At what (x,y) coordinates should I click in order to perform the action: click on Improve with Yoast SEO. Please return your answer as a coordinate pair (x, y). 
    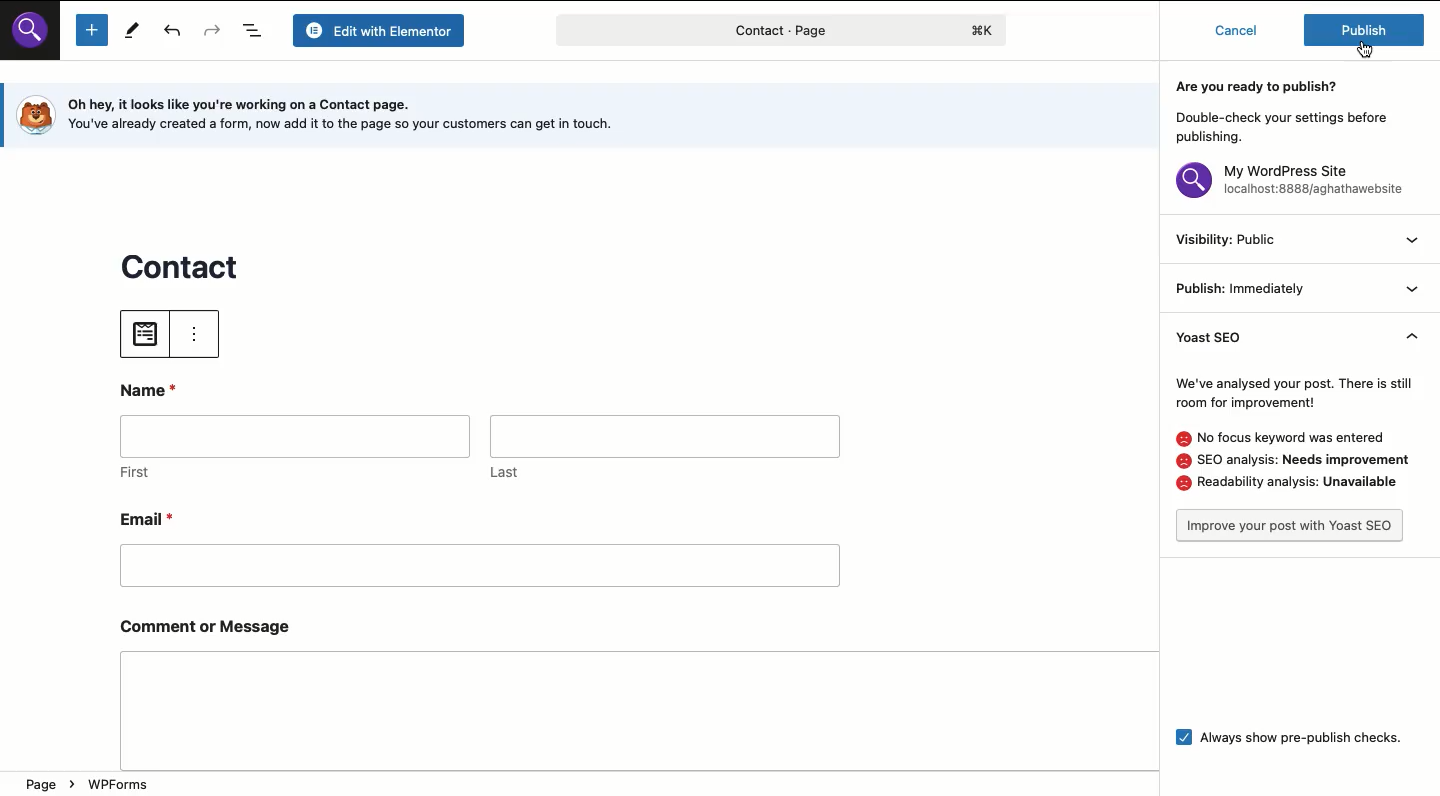
    Looking at the image, I should click on (1289, 524).